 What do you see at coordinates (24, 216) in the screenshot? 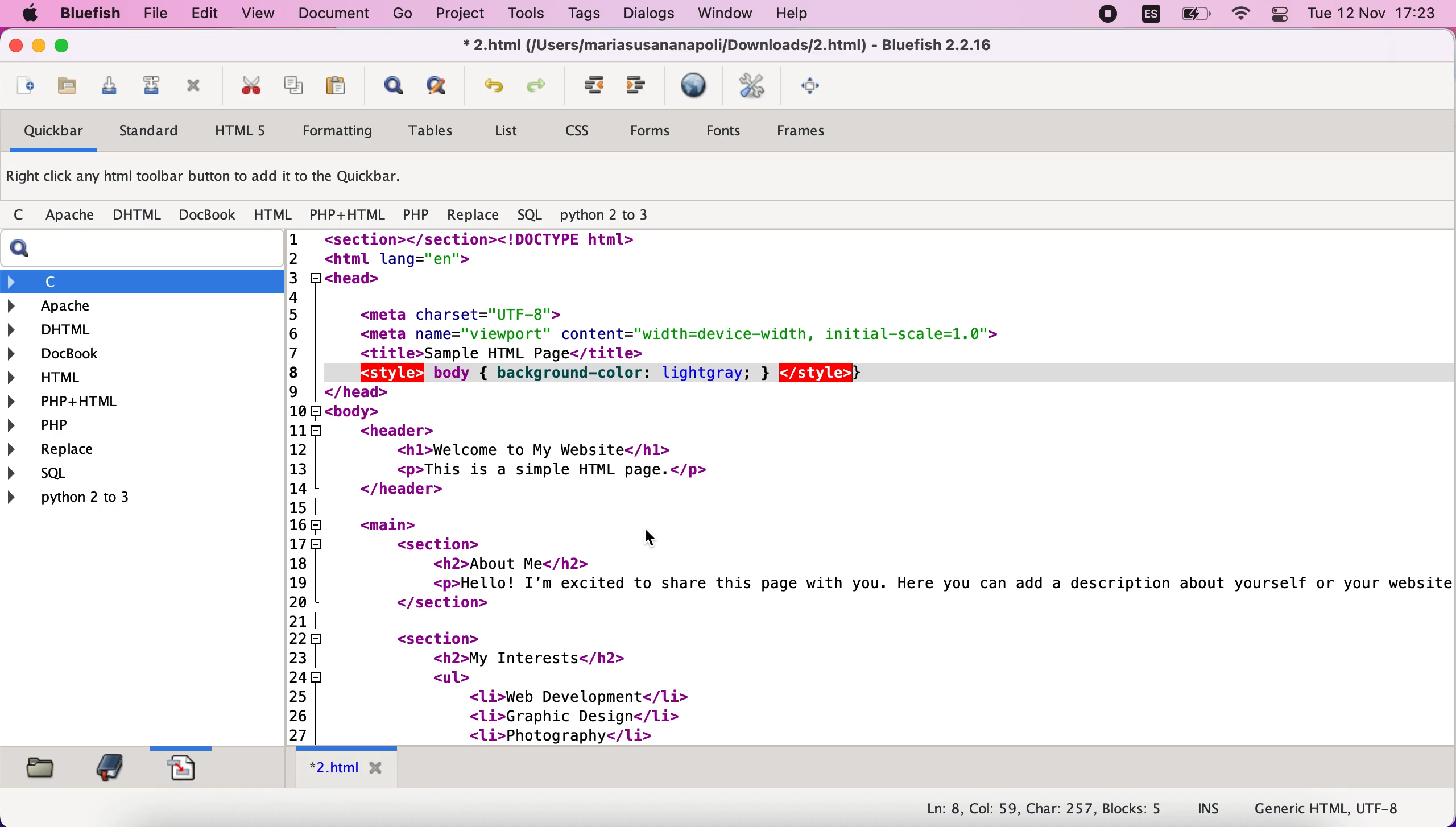
I see `` at bounding box center [24, 216].